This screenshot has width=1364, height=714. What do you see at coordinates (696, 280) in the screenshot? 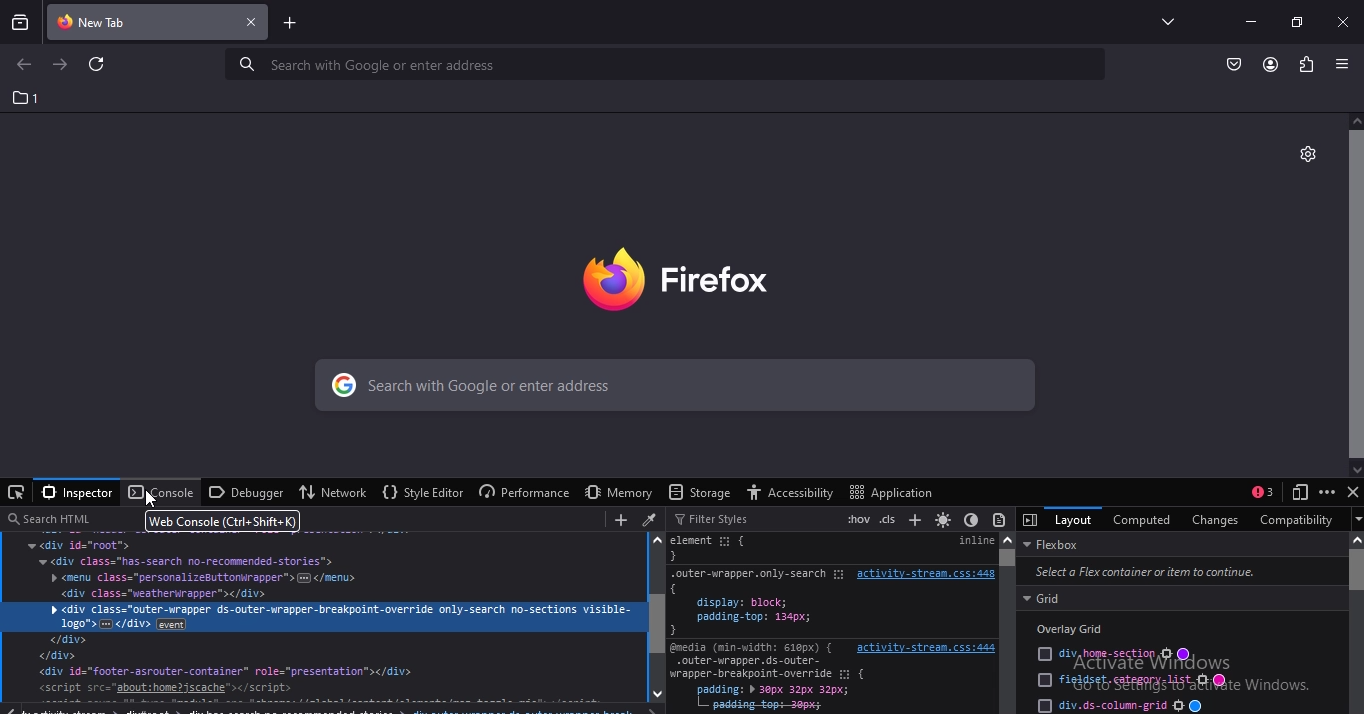
I see `image` at bounding box center [696, 280].